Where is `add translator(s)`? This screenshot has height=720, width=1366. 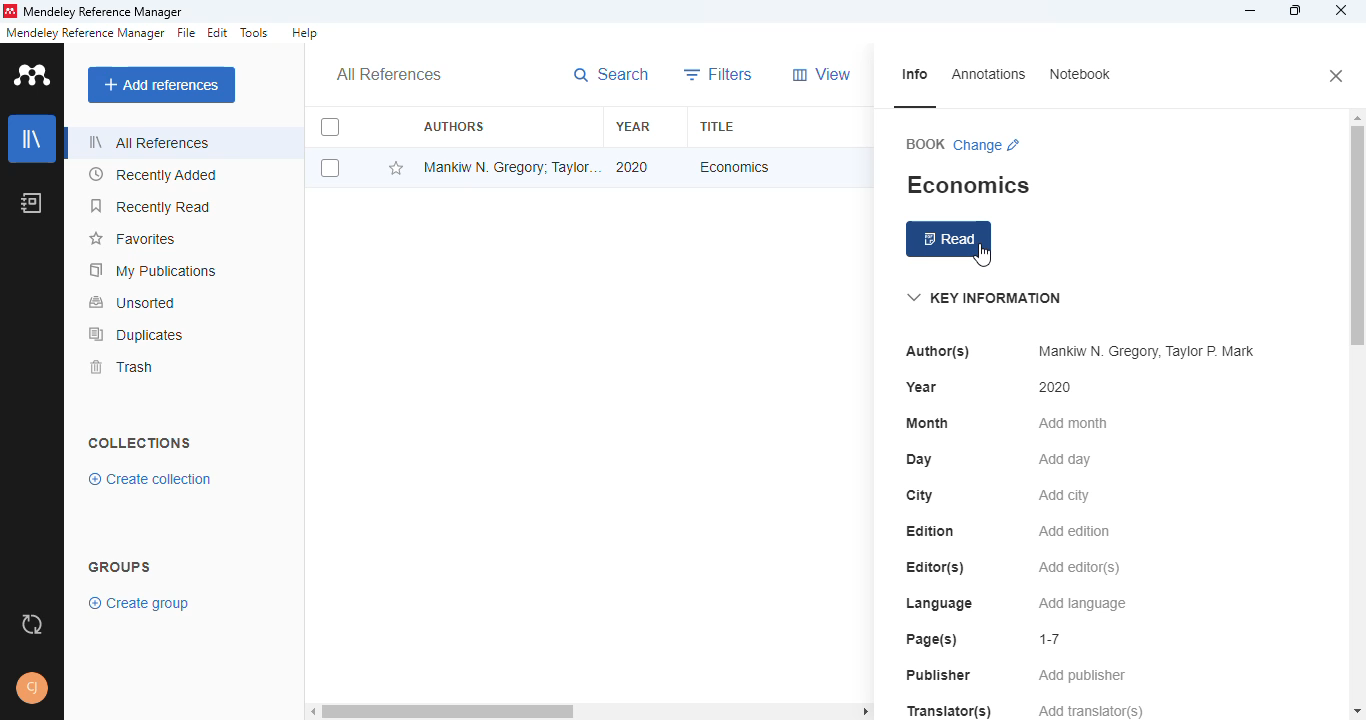 add translator(s) is located at coordinates (1090, 710).